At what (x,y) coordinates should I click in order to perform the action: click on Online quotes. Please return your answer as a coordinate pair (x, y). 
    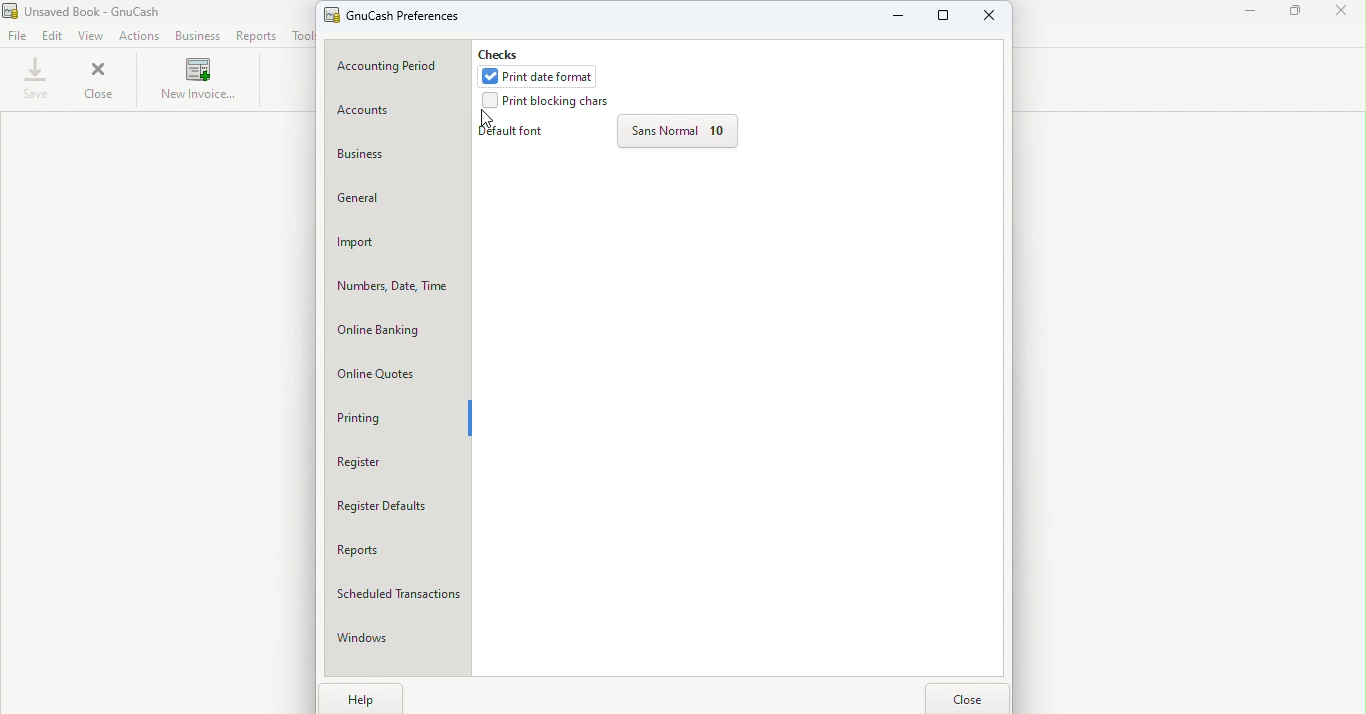
    Looking at the image, I should click on (400, 375).